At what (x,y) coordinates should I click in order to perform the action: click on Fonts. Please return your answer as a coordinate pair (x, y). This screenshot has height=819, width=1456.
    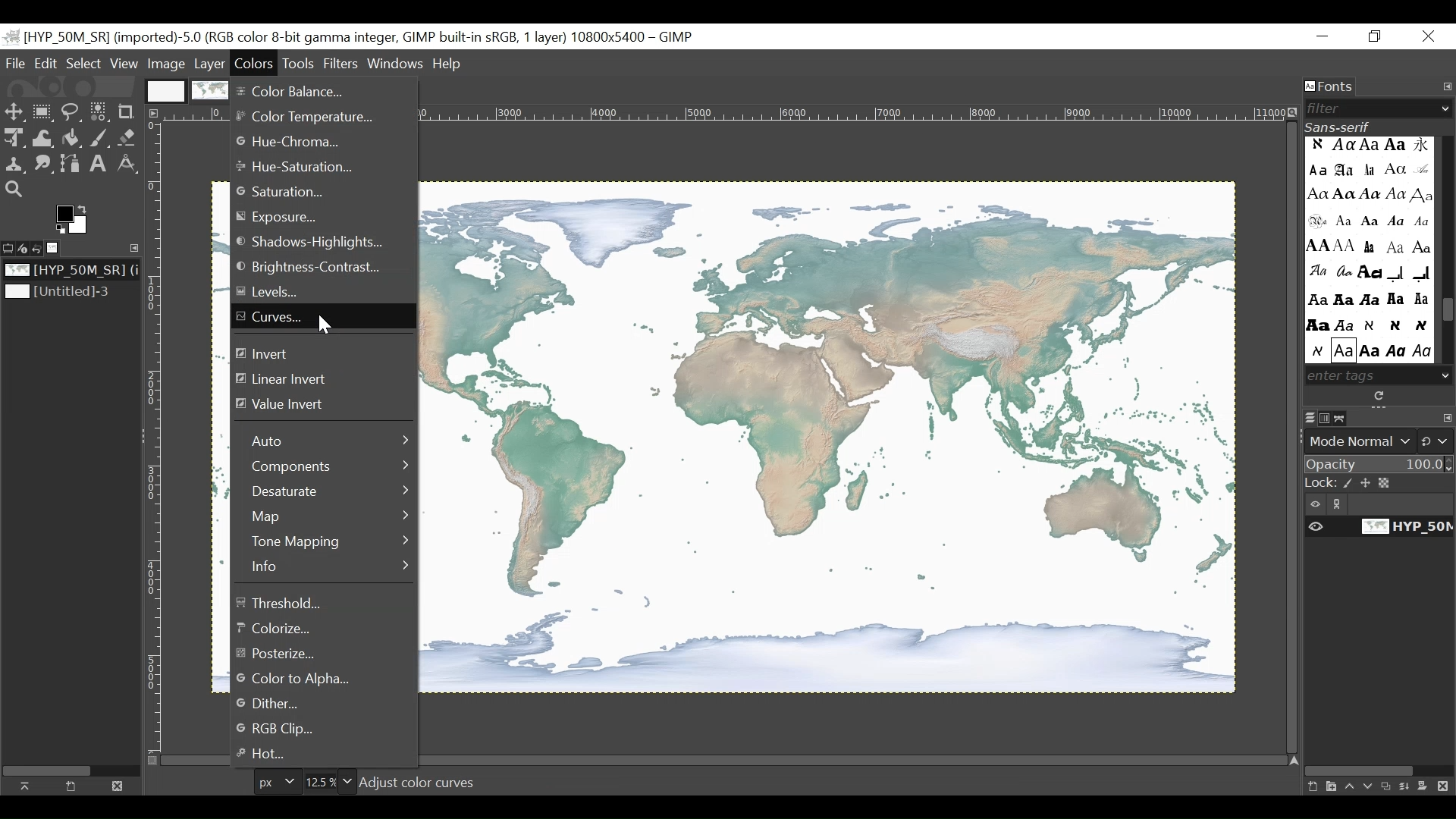
    Looking at the image, I should click on (1331, 87).